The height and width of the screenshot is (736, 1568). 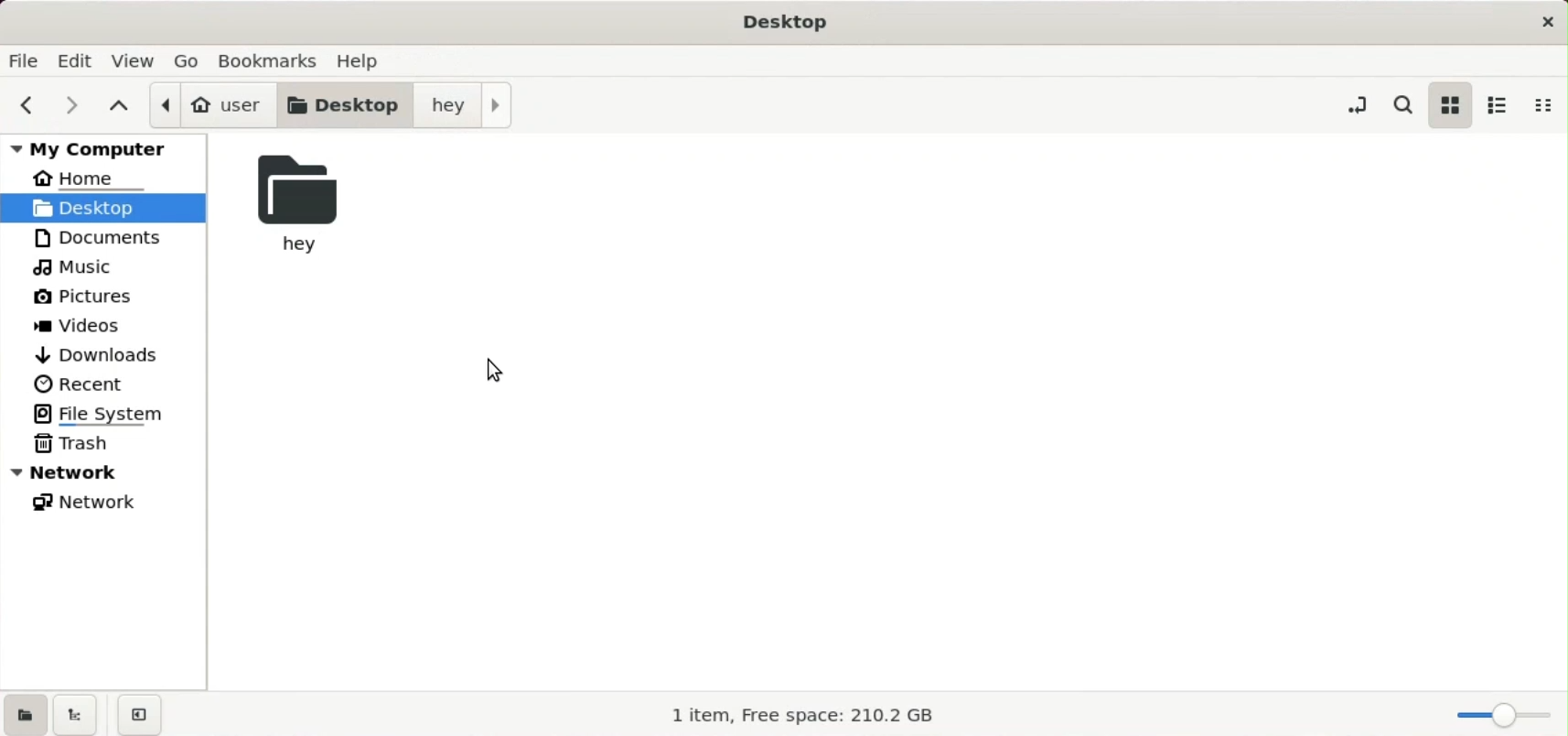 What do you see at coordinates (82, 296) in the screenshot?
I see `pictures` at bounding box center [82, 296].